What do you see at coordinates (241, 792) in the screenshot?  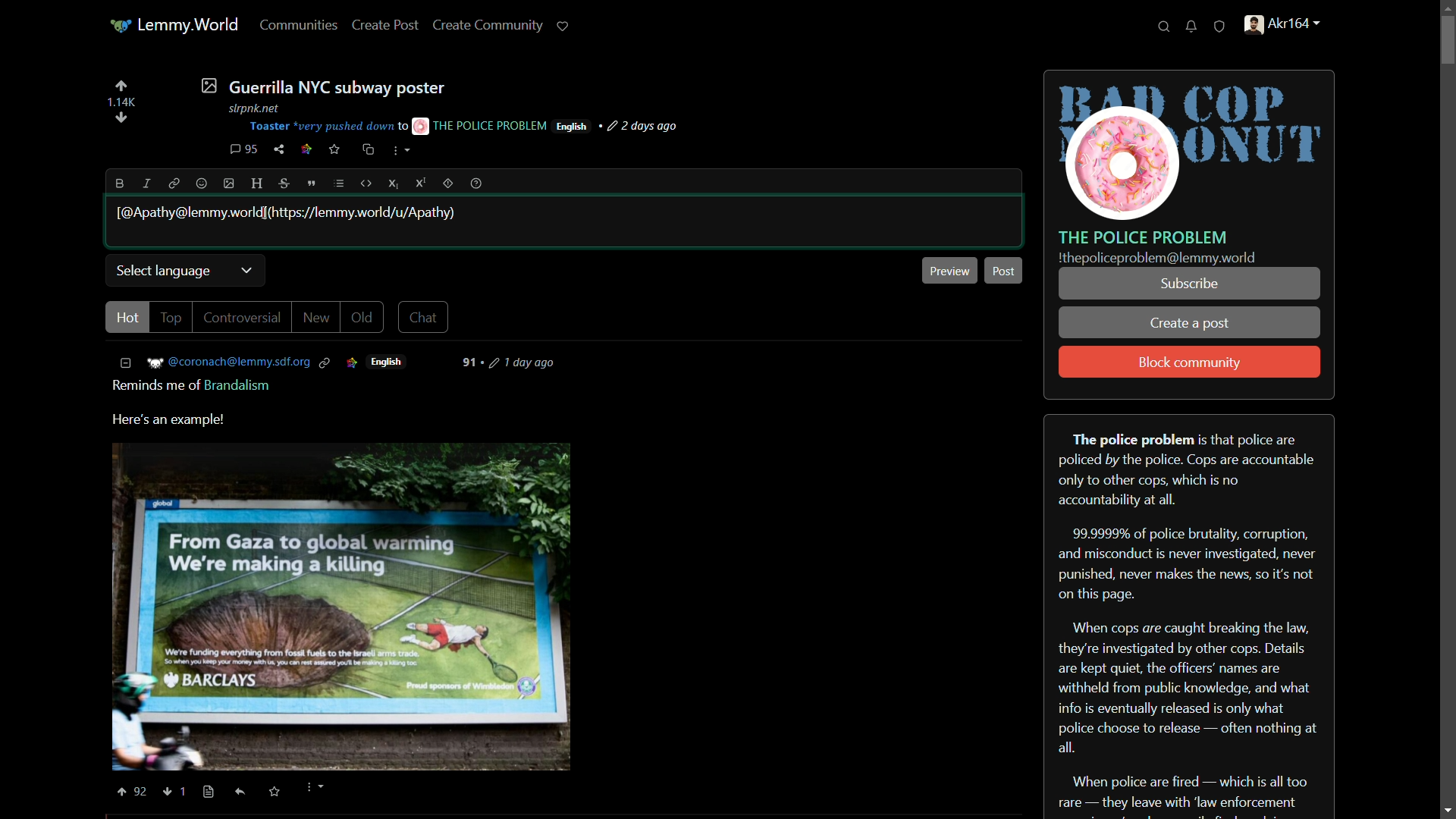 I see `` at bounding box center [241, 792].